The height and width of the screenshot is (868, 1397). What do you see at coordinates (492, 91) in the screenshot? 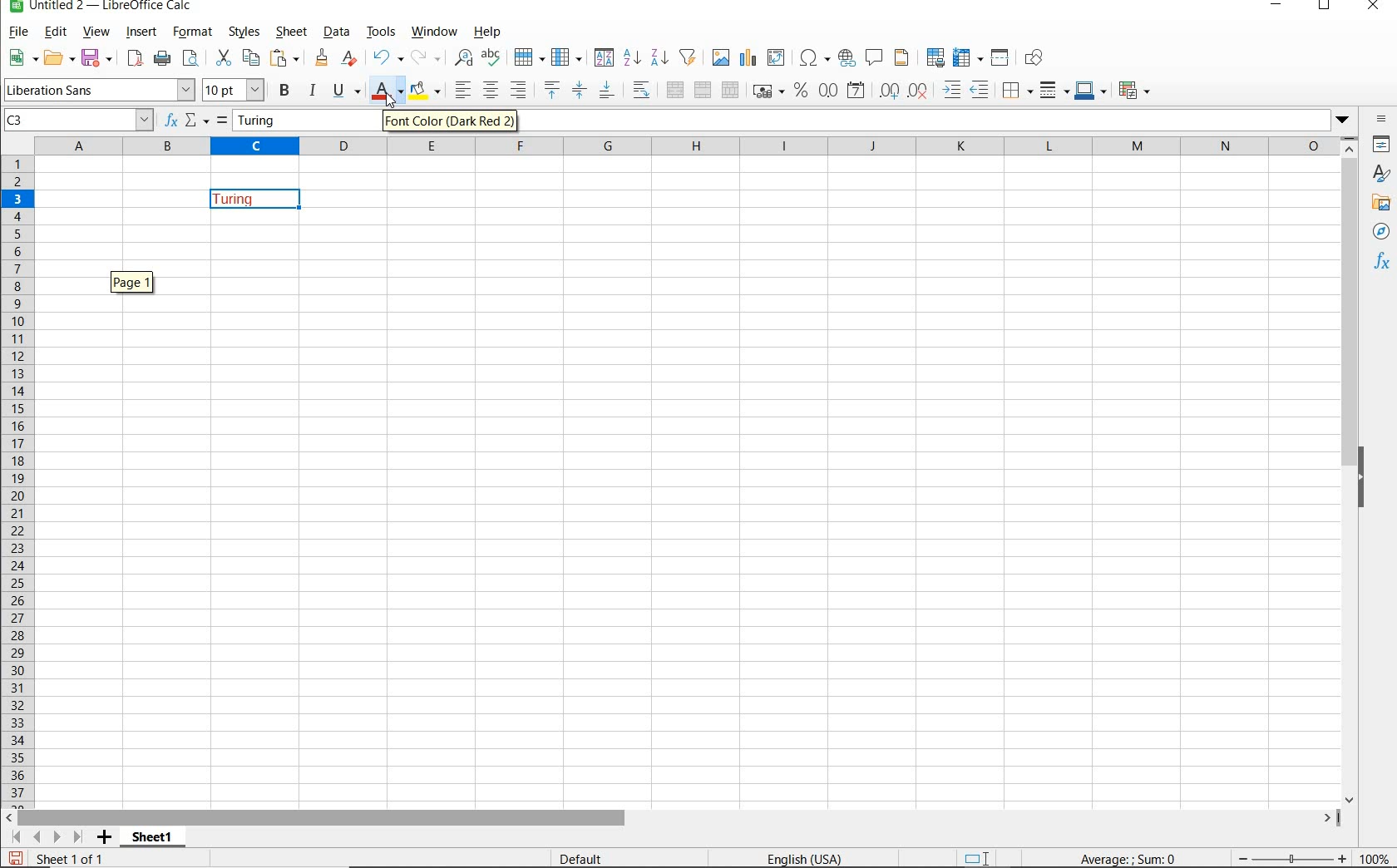
I see `ALIGN CENTER` at bounding box center [492, 91].